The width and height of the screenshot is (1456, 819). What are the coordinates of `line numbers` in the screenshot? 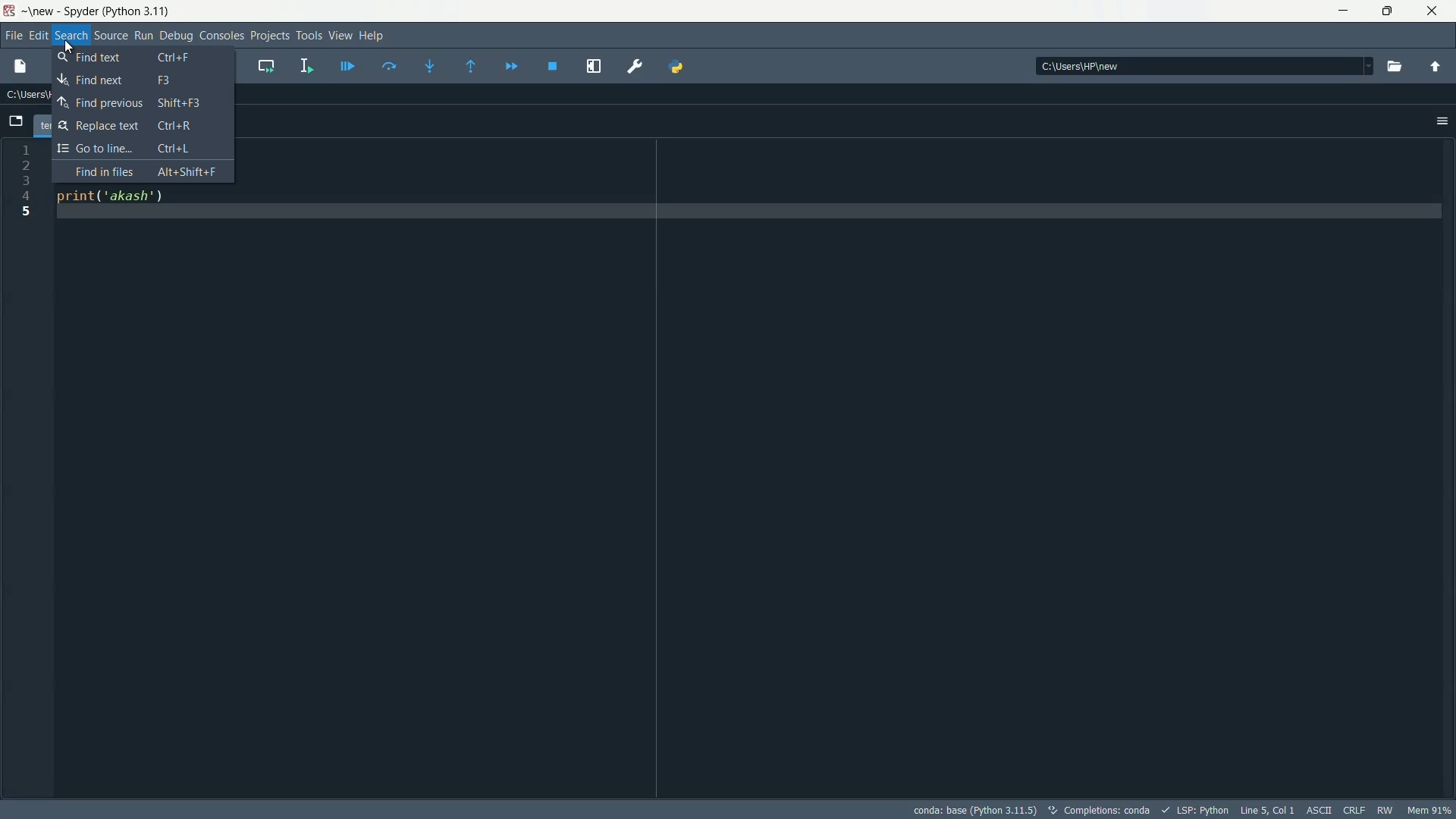 It's located at (26, 184).